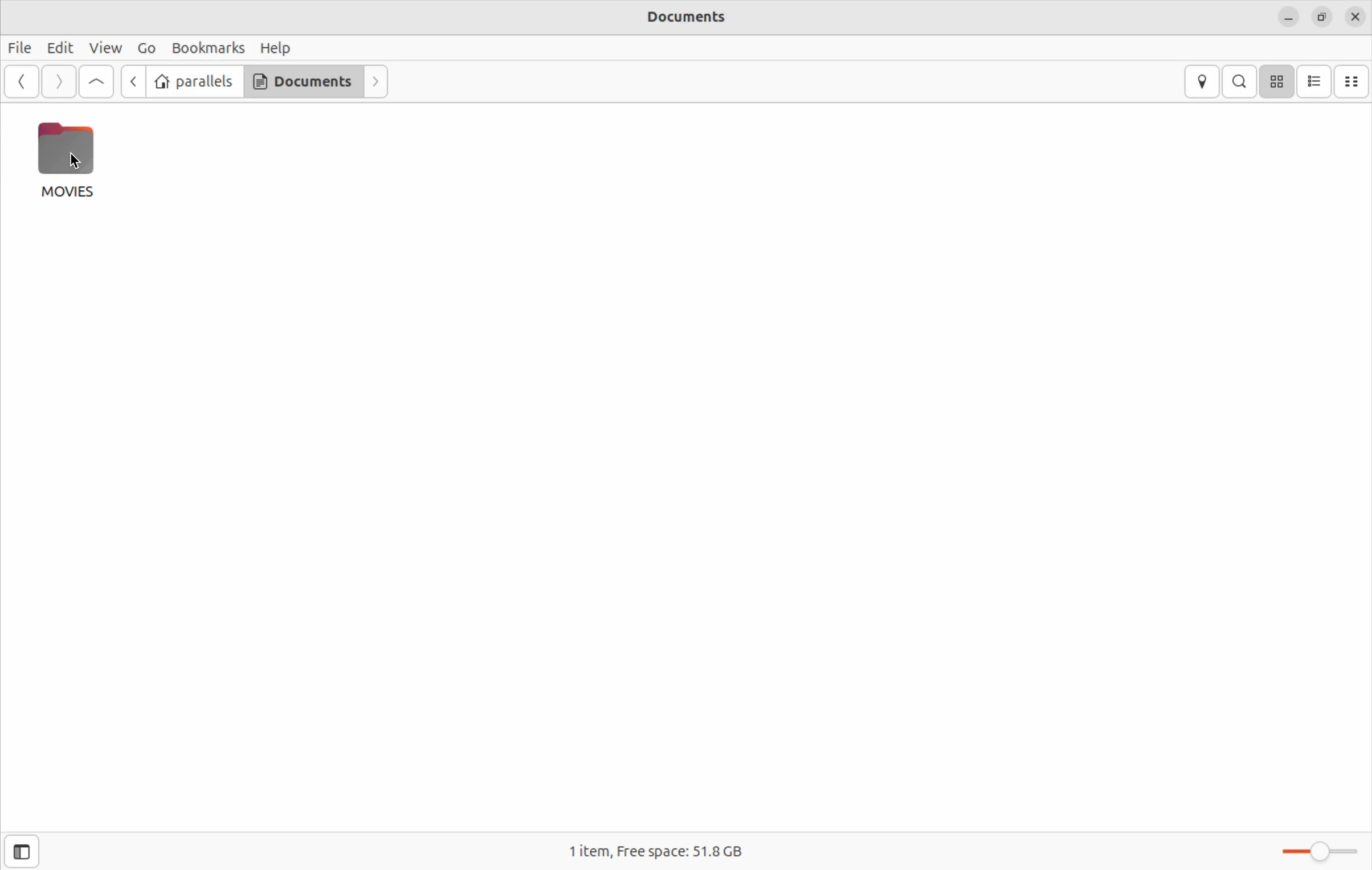  Describe the element at coordinates (20, 82) in the screenshot. I see `back` at that location.